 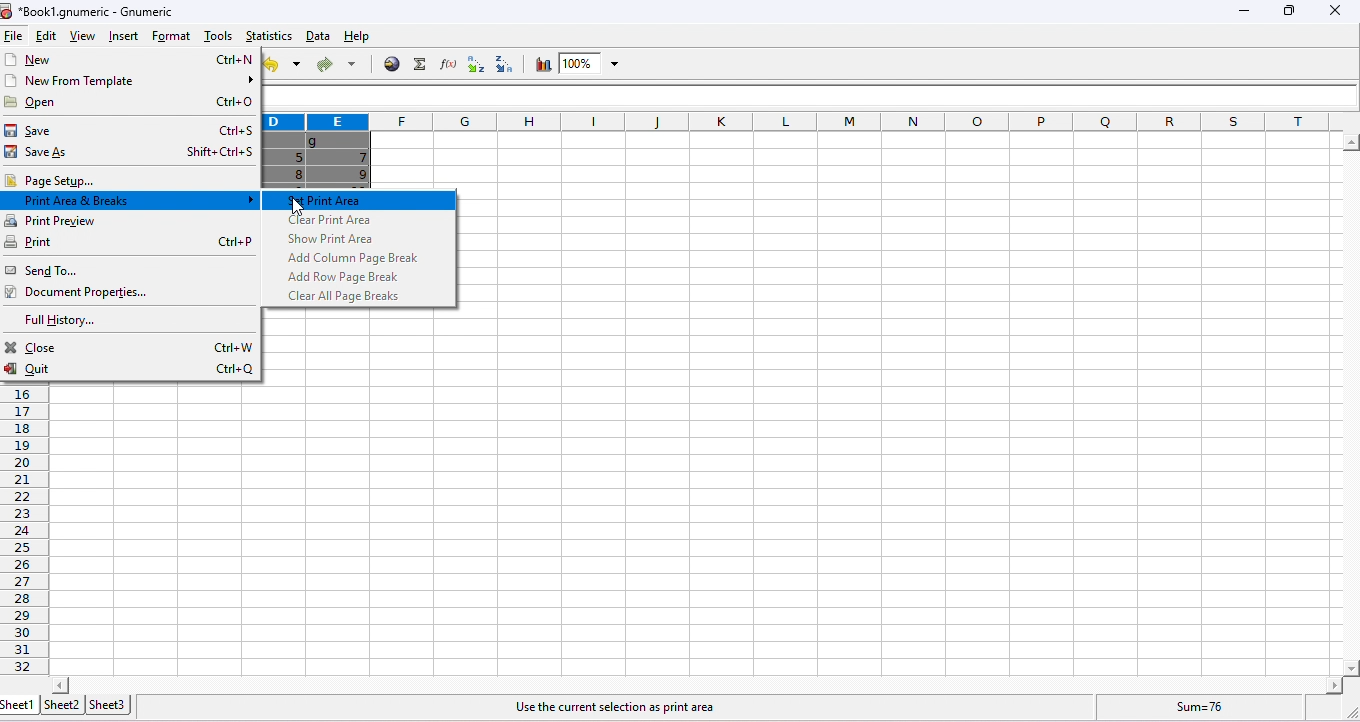 I want to click on horizontal scrollbar, so click(x=1350, y=406).